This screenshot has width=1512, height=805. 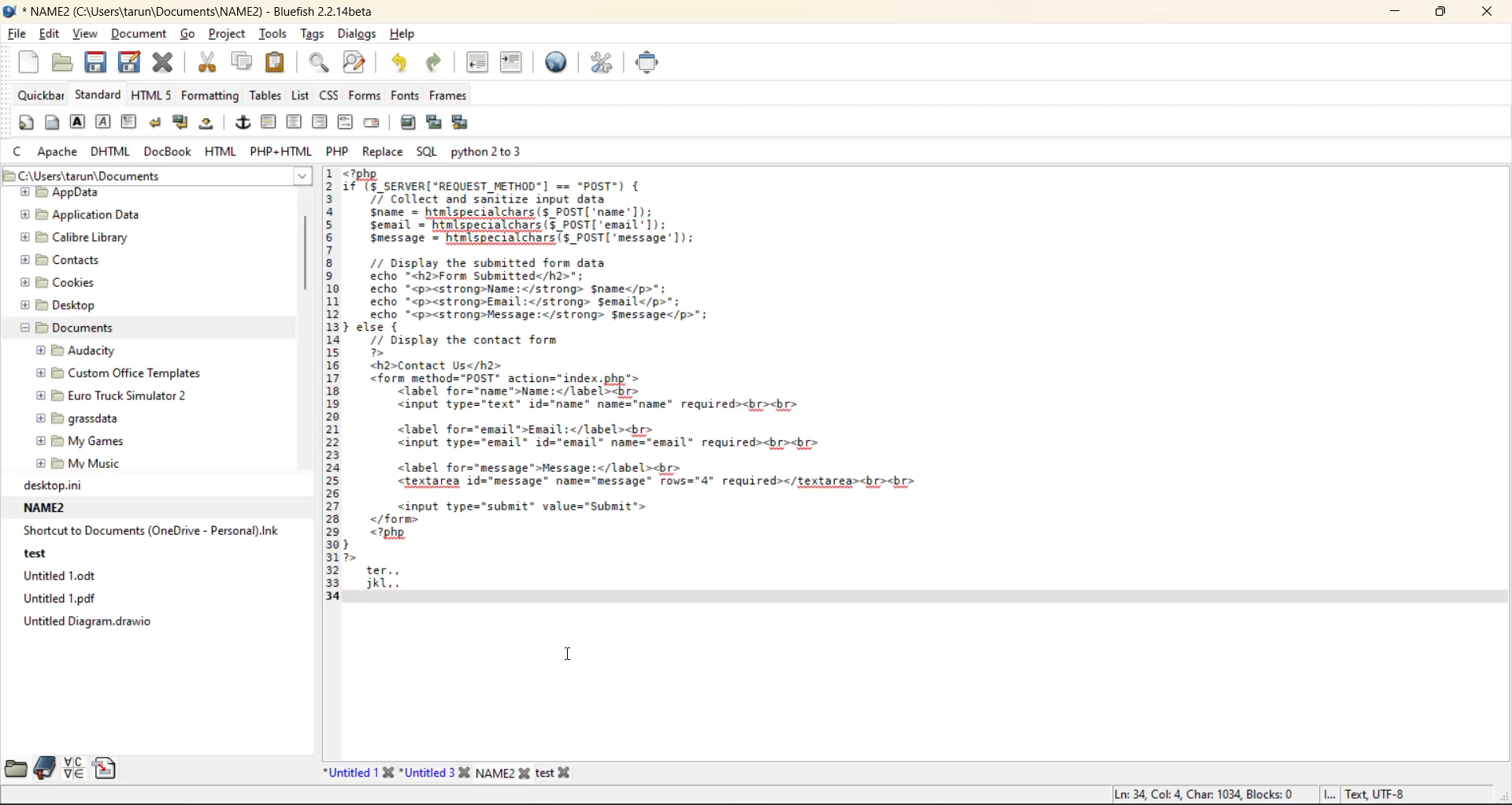 What do you see at coordinates (366, 95) in the screenshot?
I see `forms` at bounding box center [366, 95].